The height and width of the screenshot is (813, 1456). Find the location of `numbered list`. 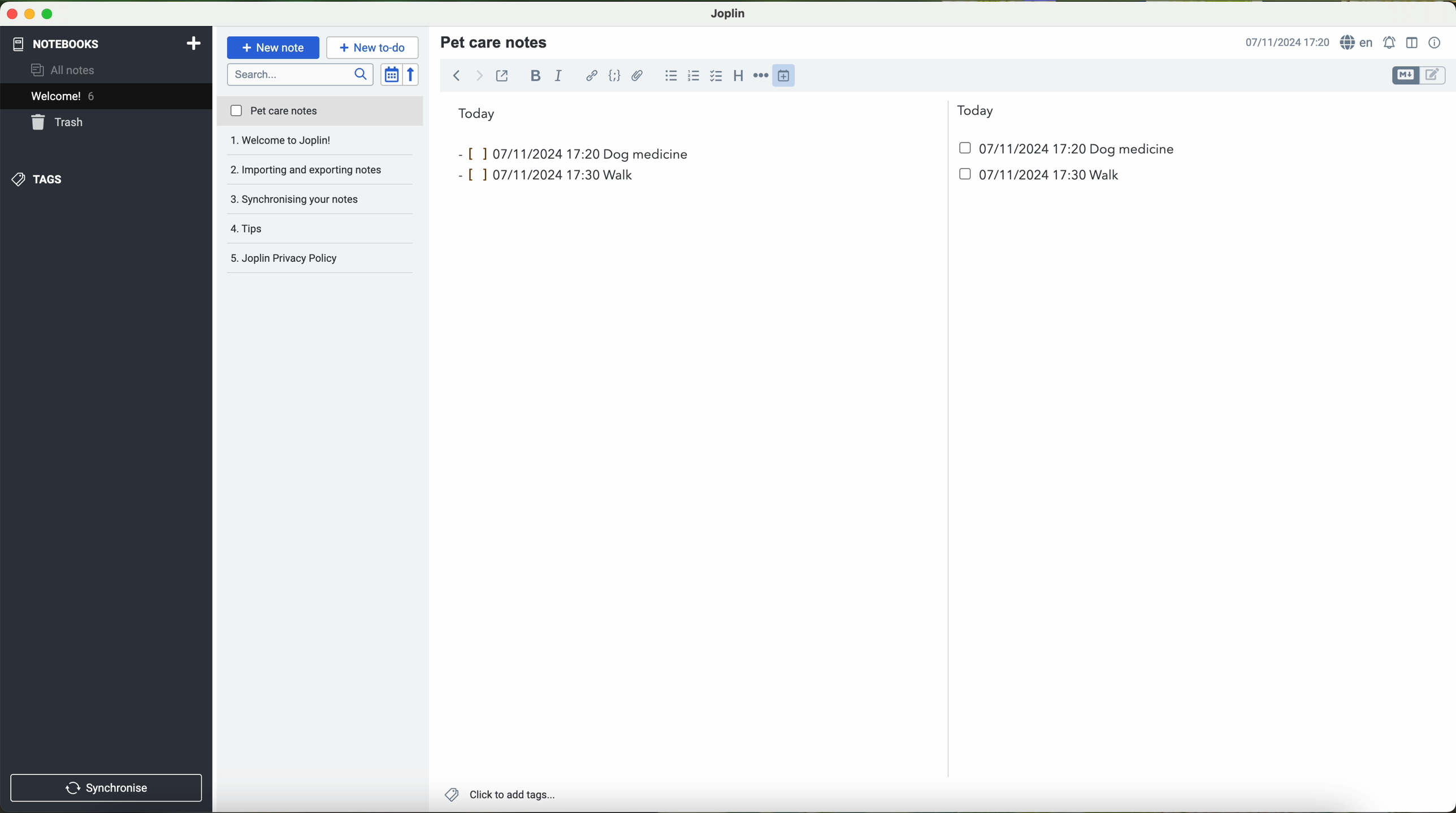

numbered list is located at coordinates (692, 76).